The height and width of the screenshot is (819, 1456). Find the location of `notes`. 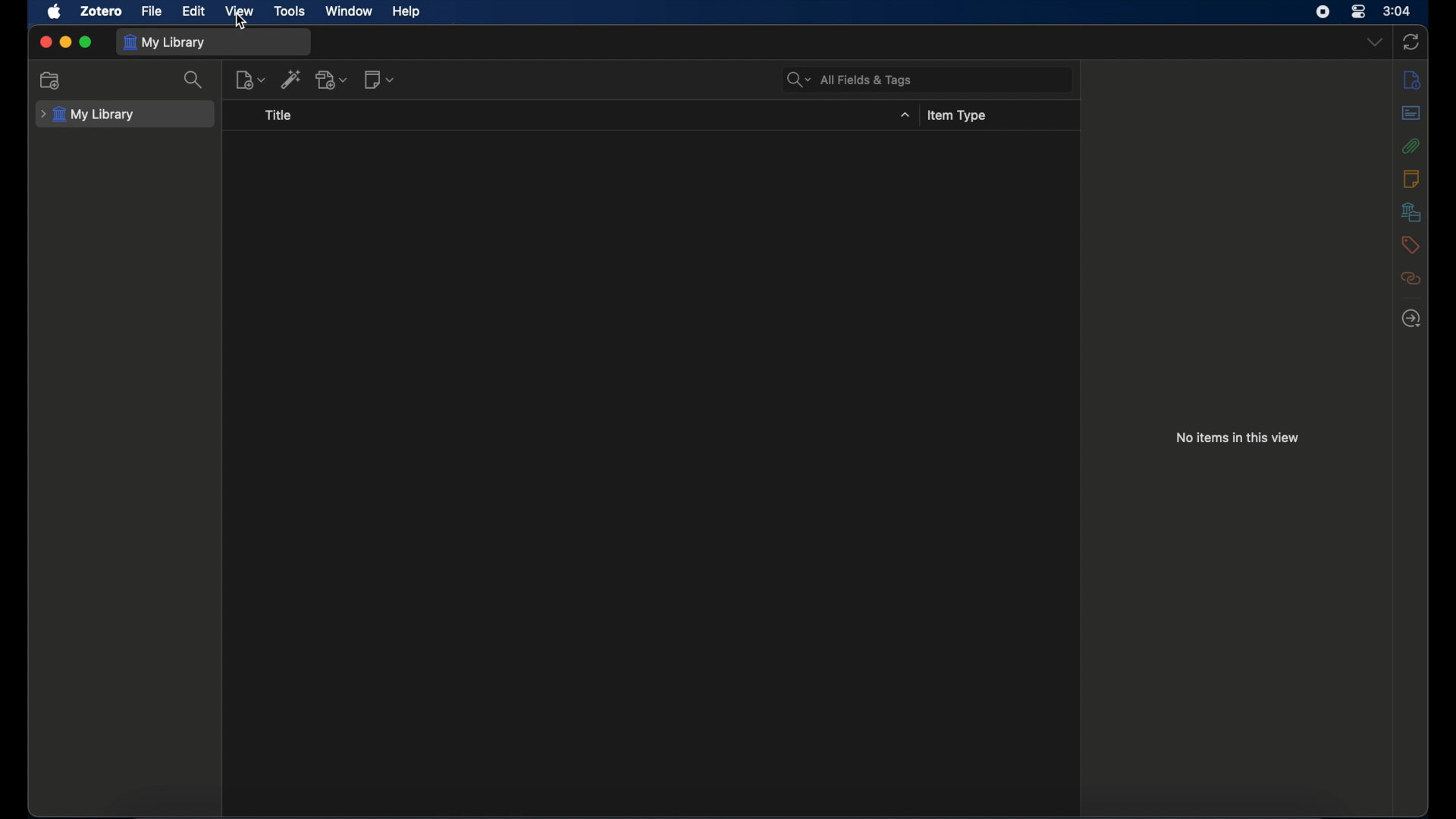

notes is located at coordinates (1411, 178).